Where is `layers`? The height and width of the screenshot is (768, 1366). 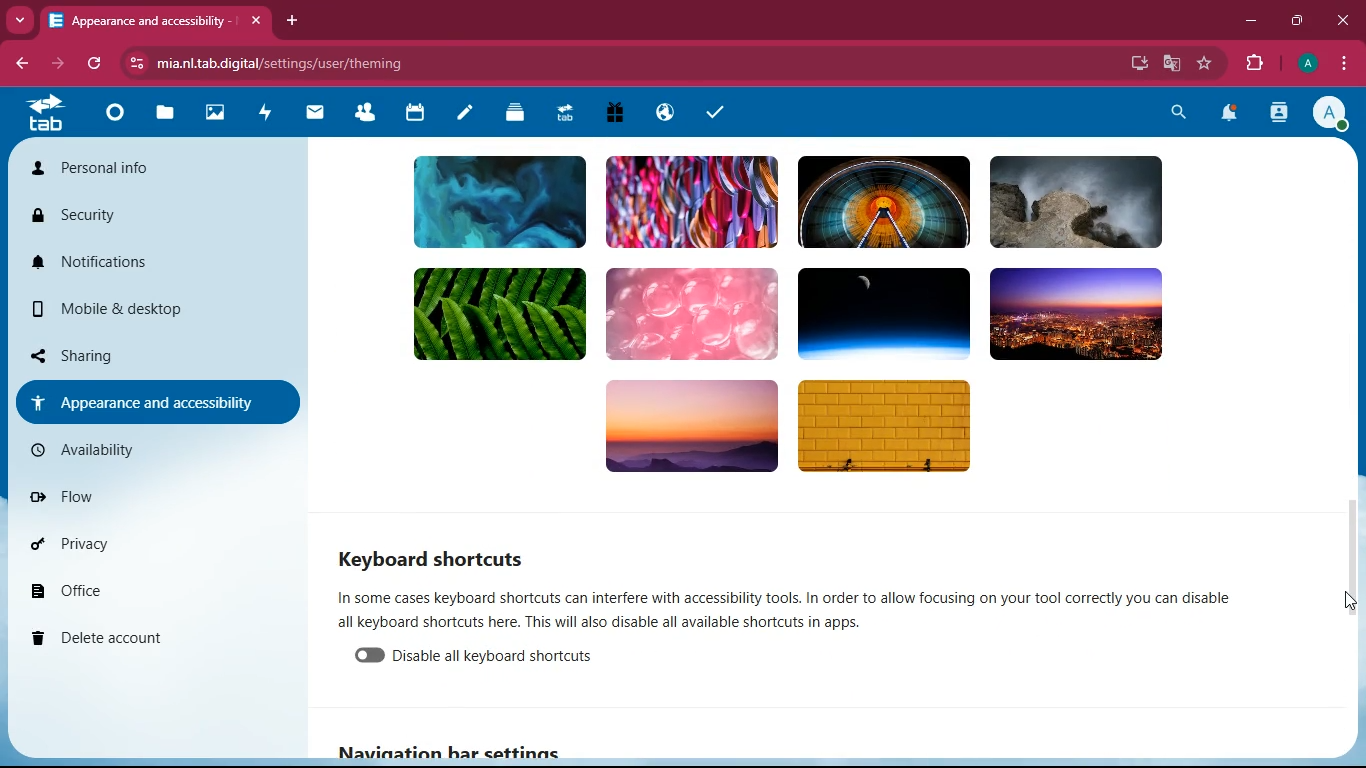
layers is located at coordinates (517, 115).